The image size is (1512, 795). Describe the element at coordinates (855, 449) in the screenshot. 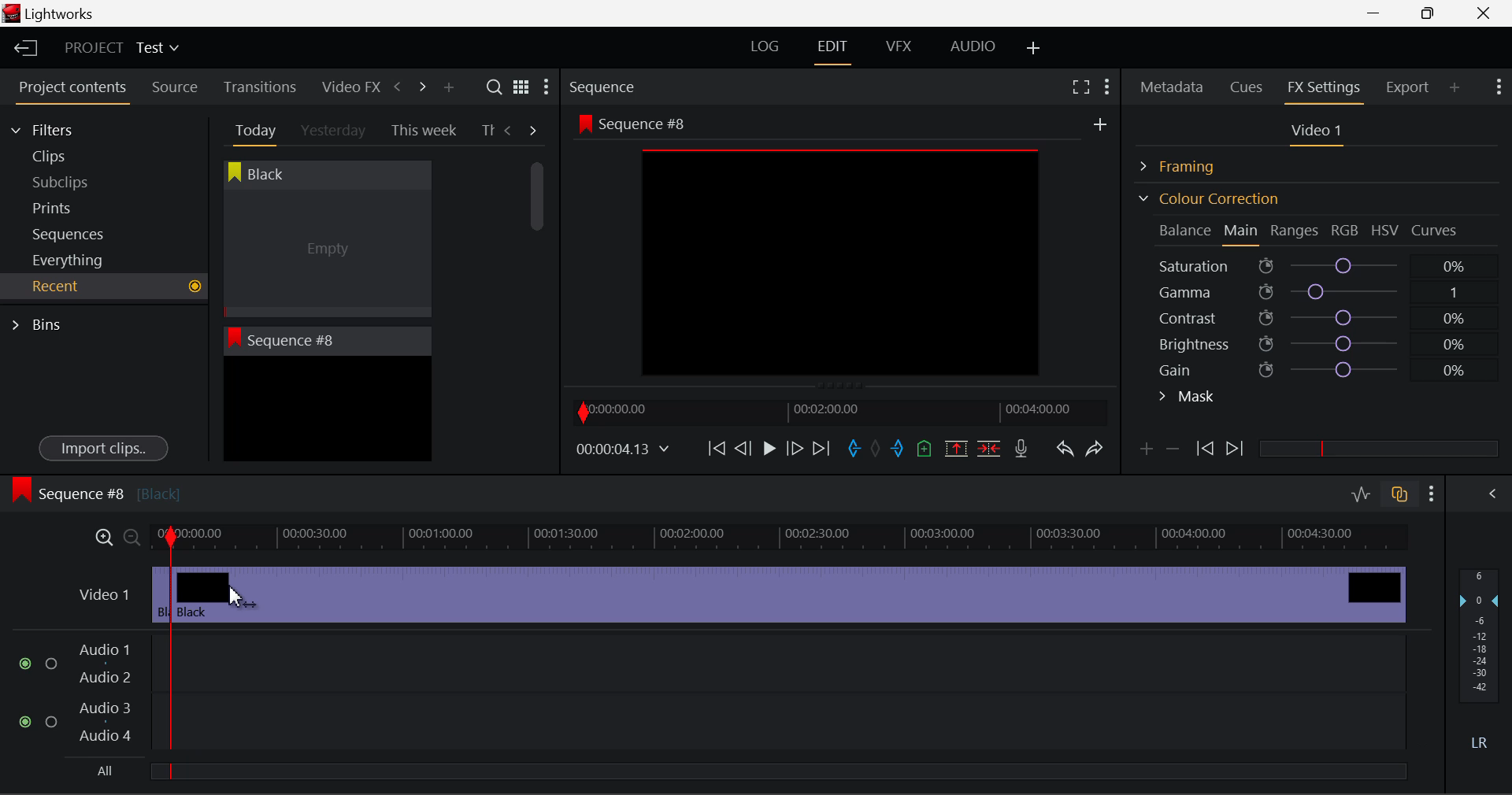

I see `Mark In` at that location.